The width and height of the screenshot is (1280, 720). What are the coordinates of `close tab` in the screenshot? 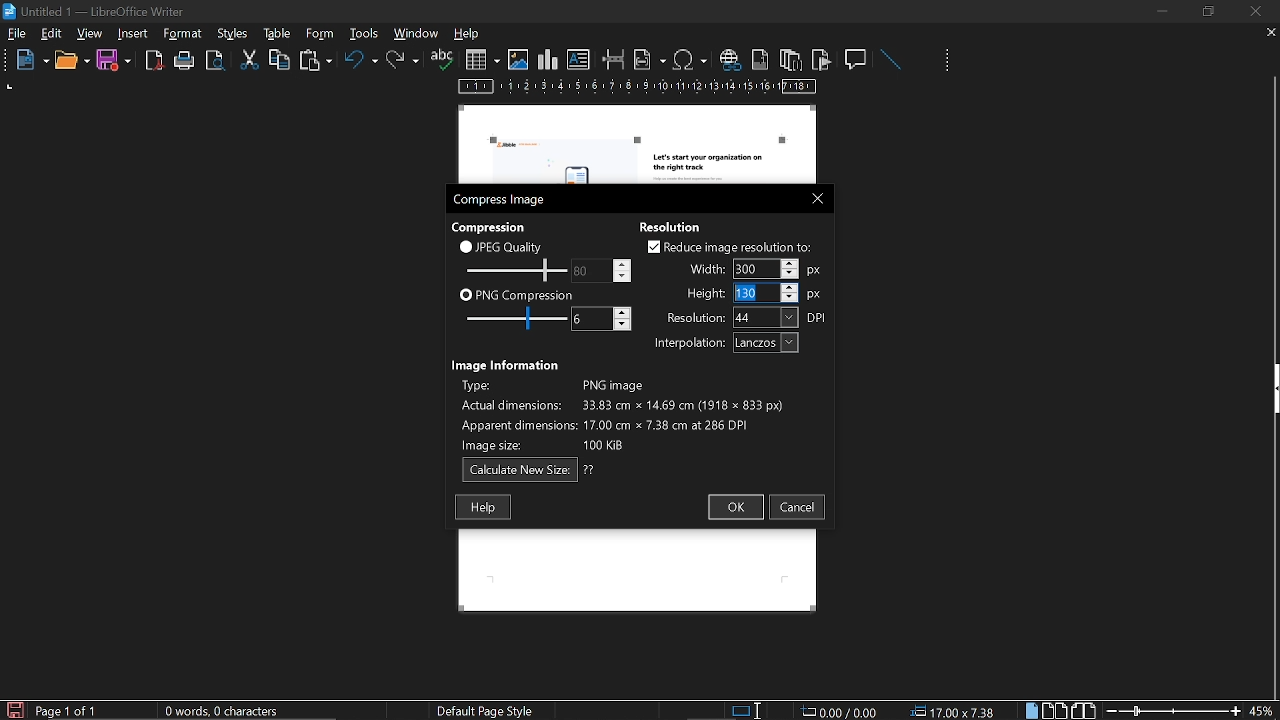 It's located at (1271, 34).